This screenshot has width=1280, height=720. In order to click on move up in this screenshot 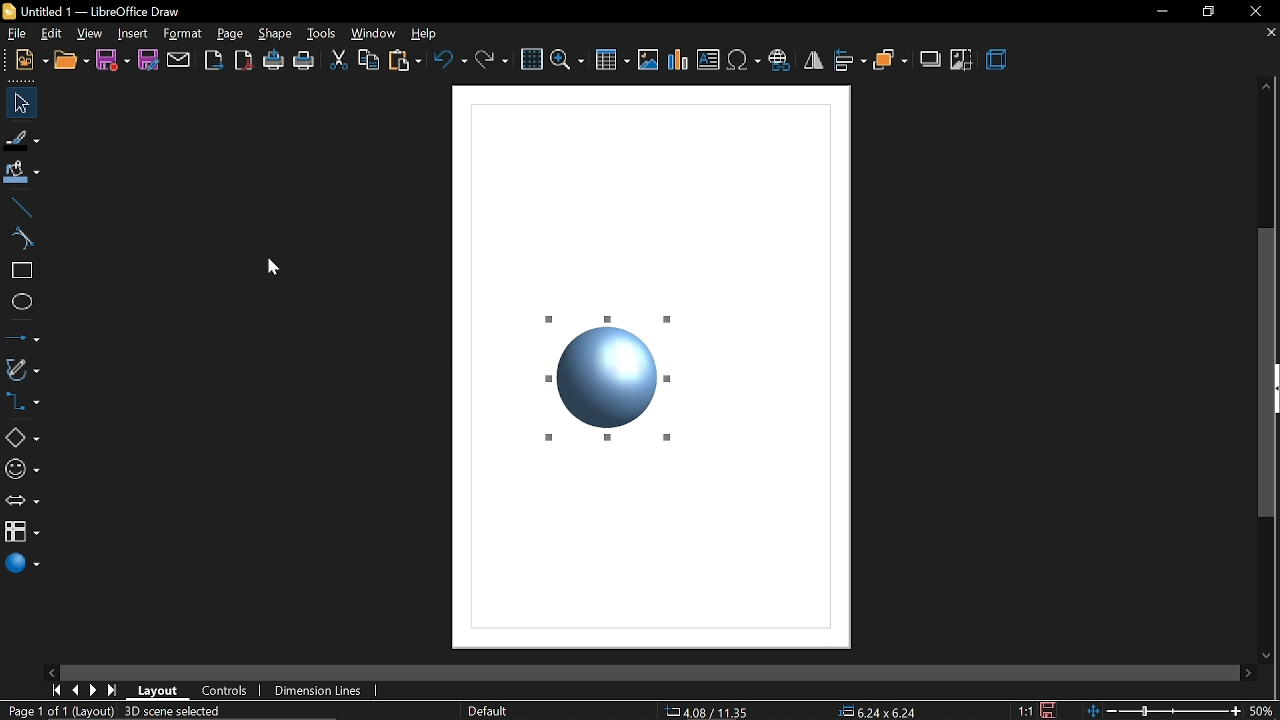, I will do `click(1268, 86)`.